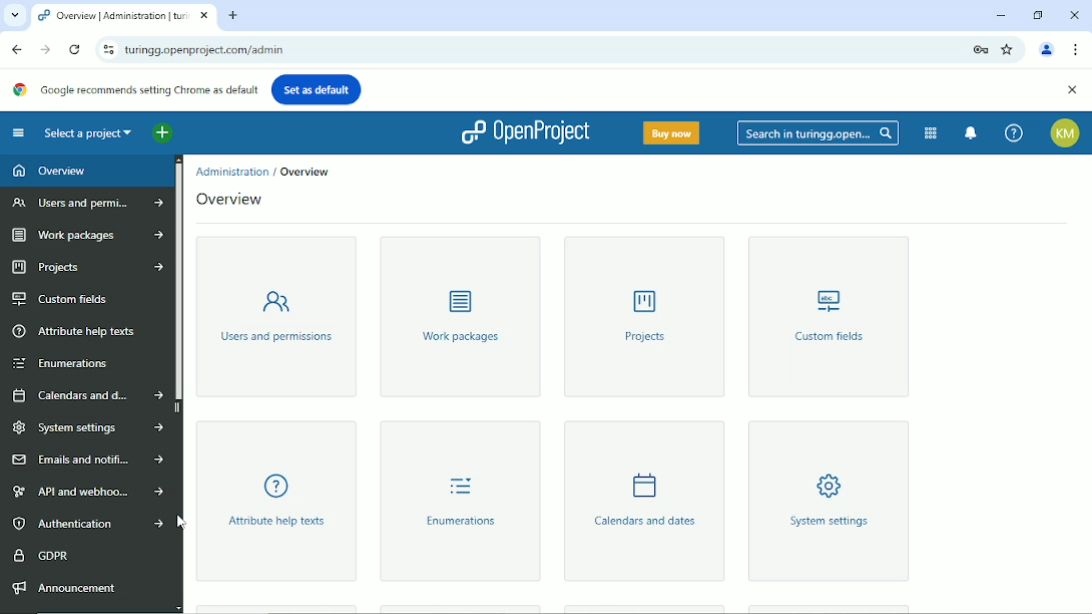 The height and width of the screenshot is (614, 1092). I want to click on Announcement, so click(63, 587).